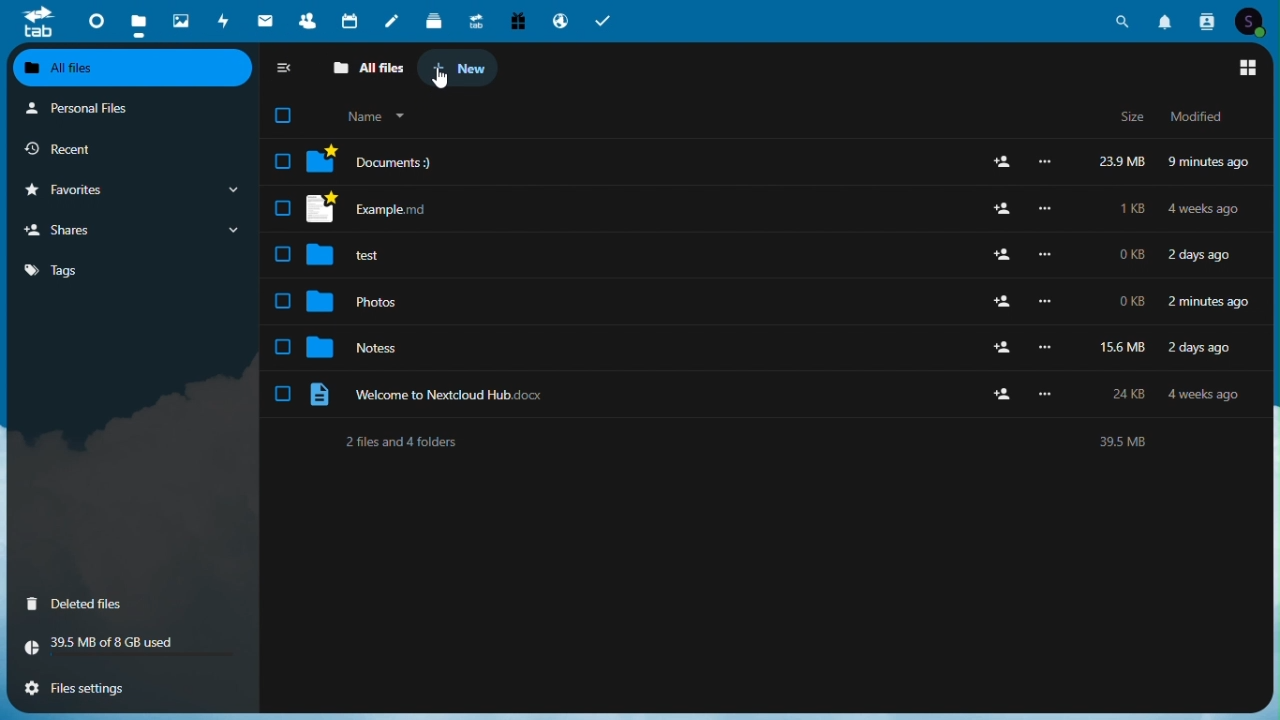 This screenshot has height=720, width=1280. I want to click on notifications, so click(1169, 19).